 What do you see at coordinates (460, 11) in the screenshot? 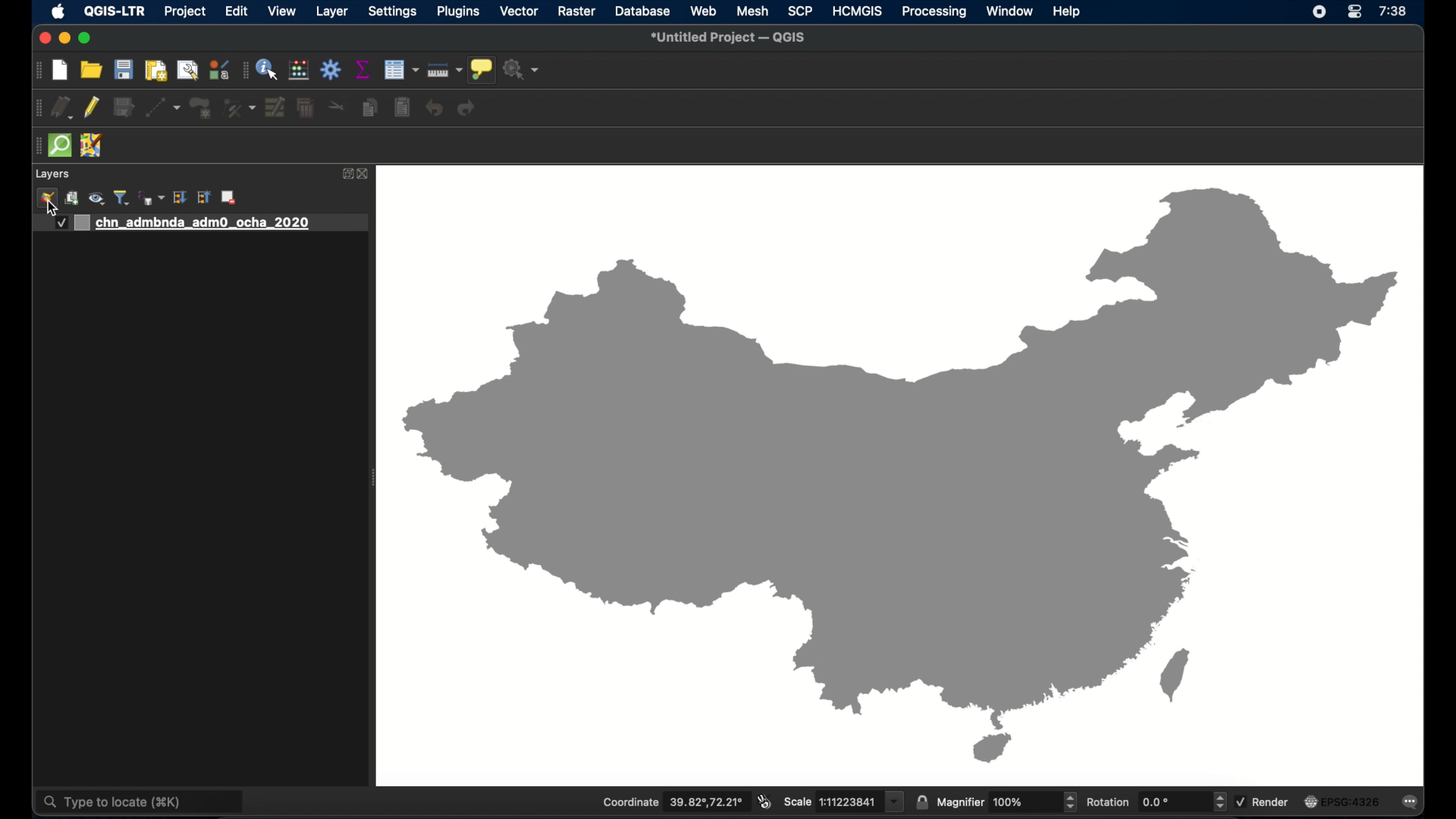
I see `plugins` at bounding box center [460, 11].